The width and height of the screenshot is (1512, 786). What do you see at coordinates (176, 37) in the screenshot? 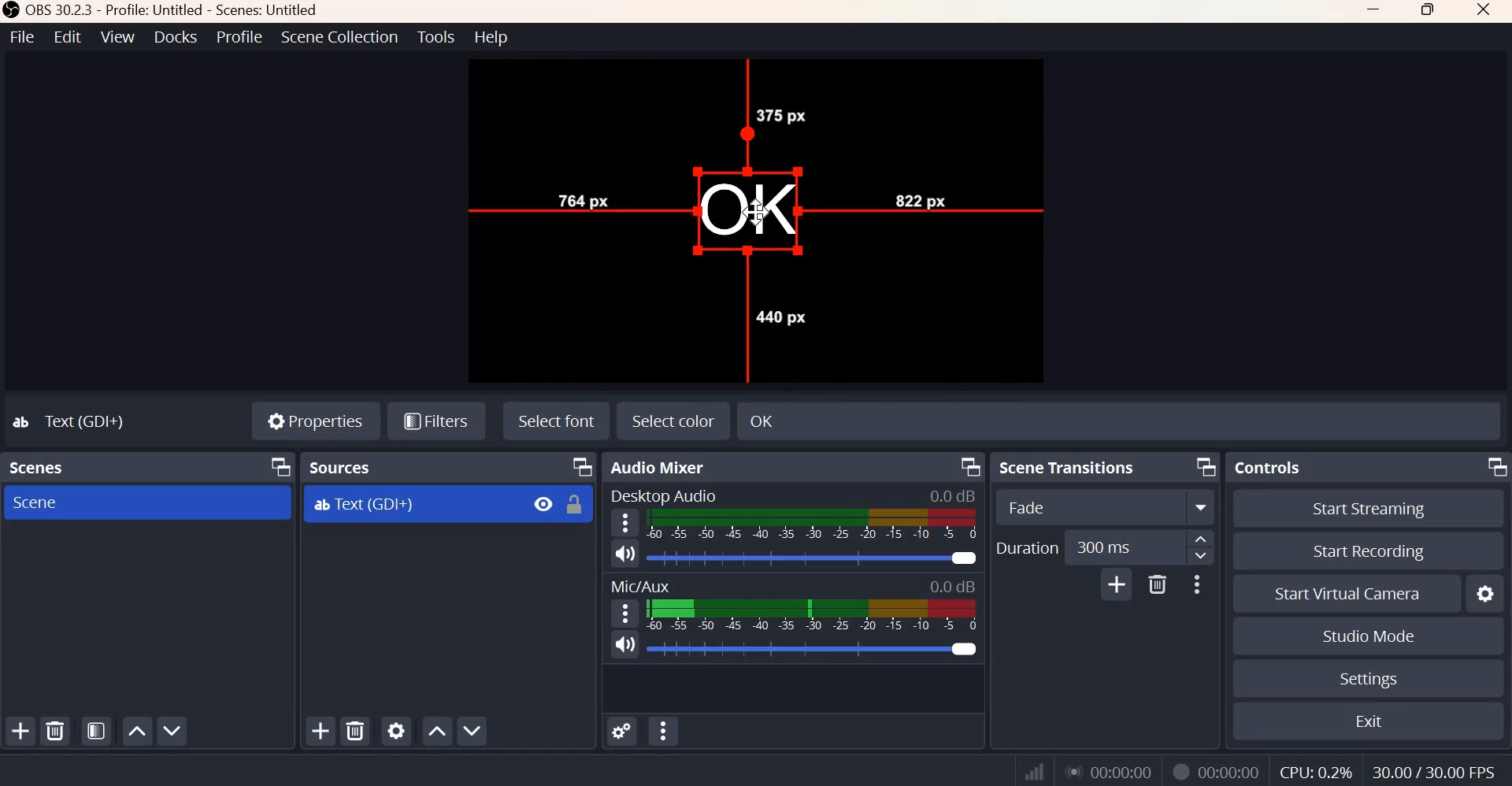
I see `Docks` at bounding box center [176, 37].